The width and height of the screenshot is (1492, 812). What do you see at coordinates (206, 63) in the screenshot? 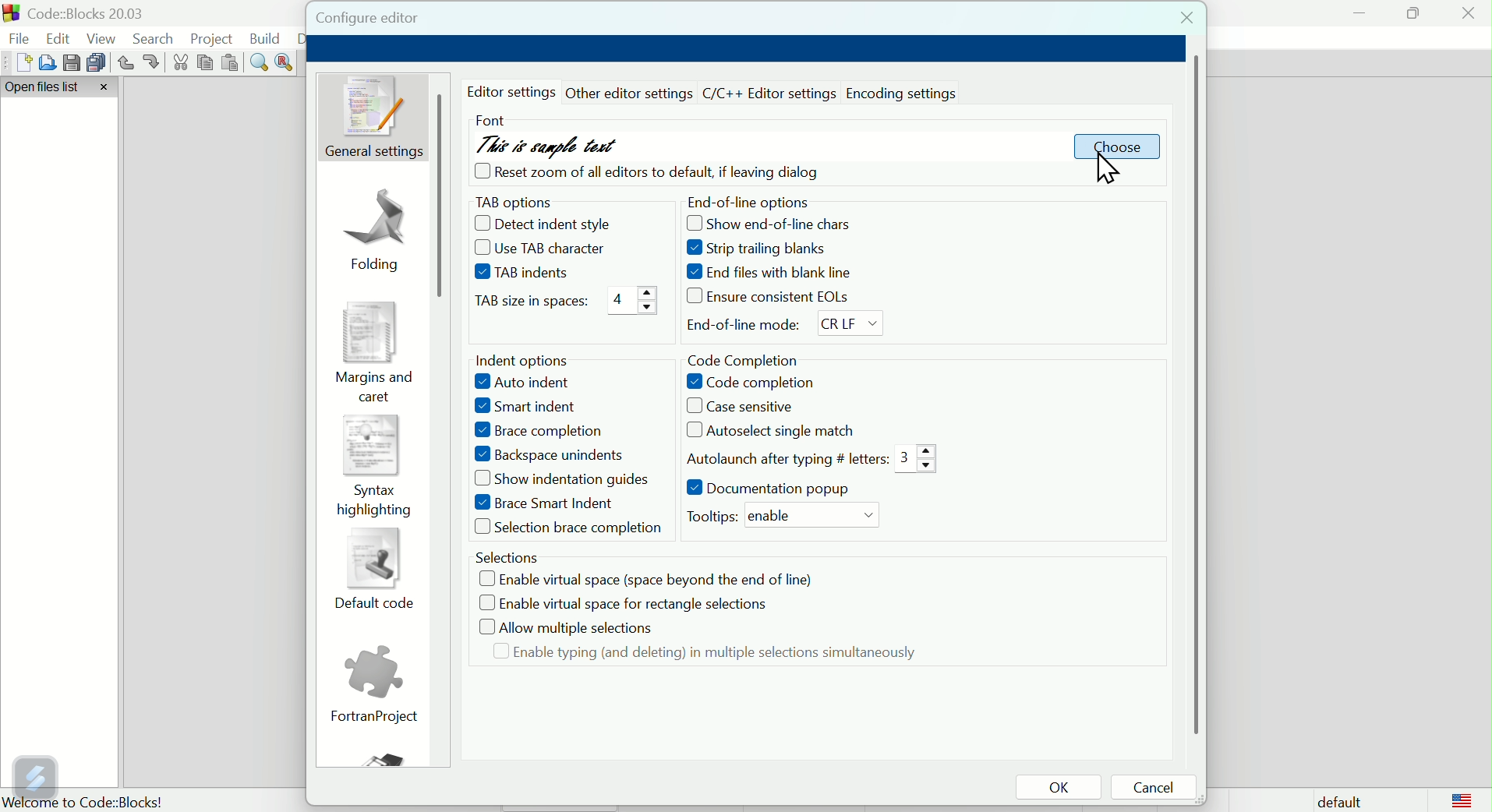
I see `Copy` at bounding box center [206, 63].